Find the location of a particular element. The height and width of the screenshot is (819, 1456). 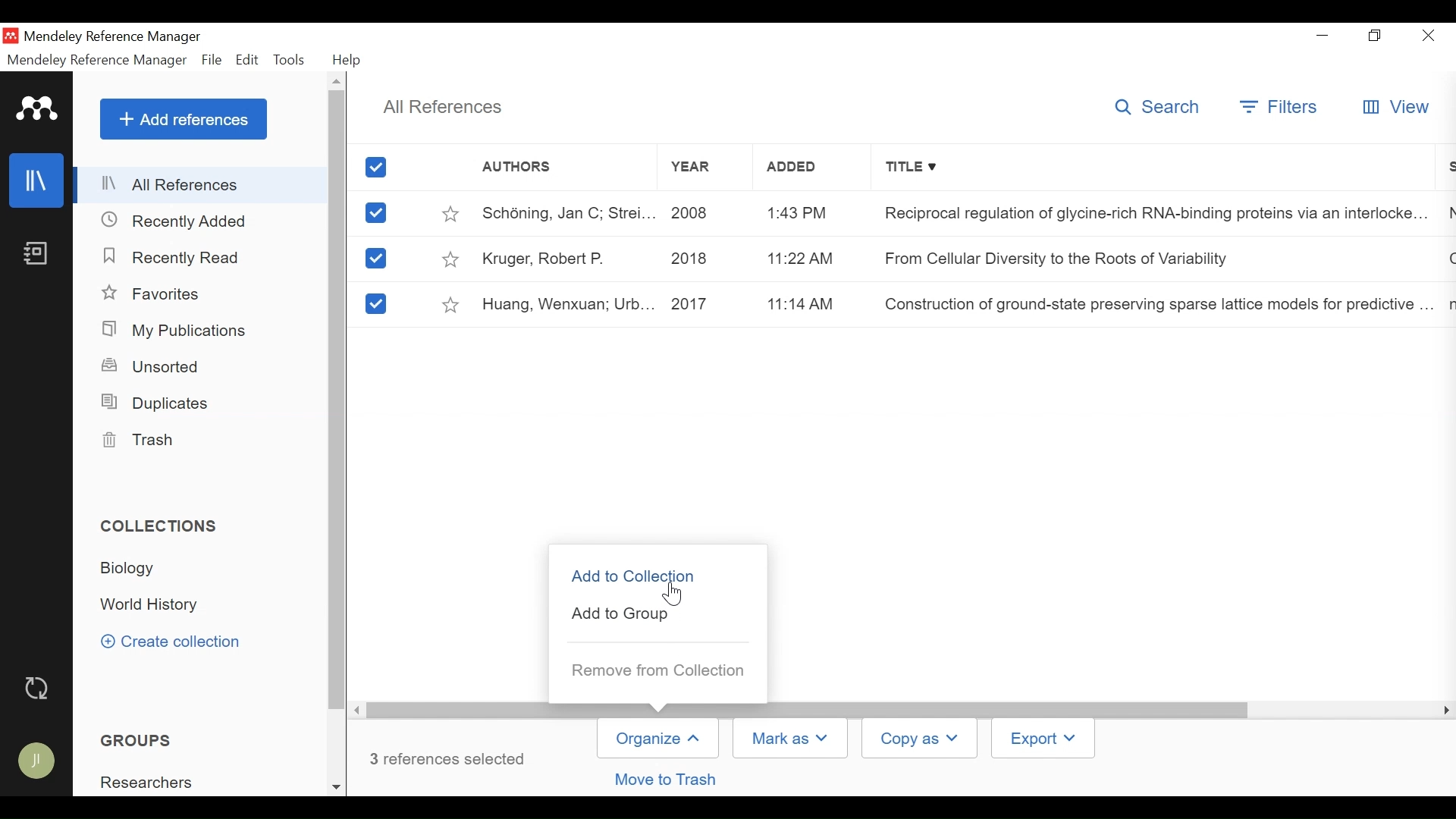

Year is located at coordinates (708, 170).